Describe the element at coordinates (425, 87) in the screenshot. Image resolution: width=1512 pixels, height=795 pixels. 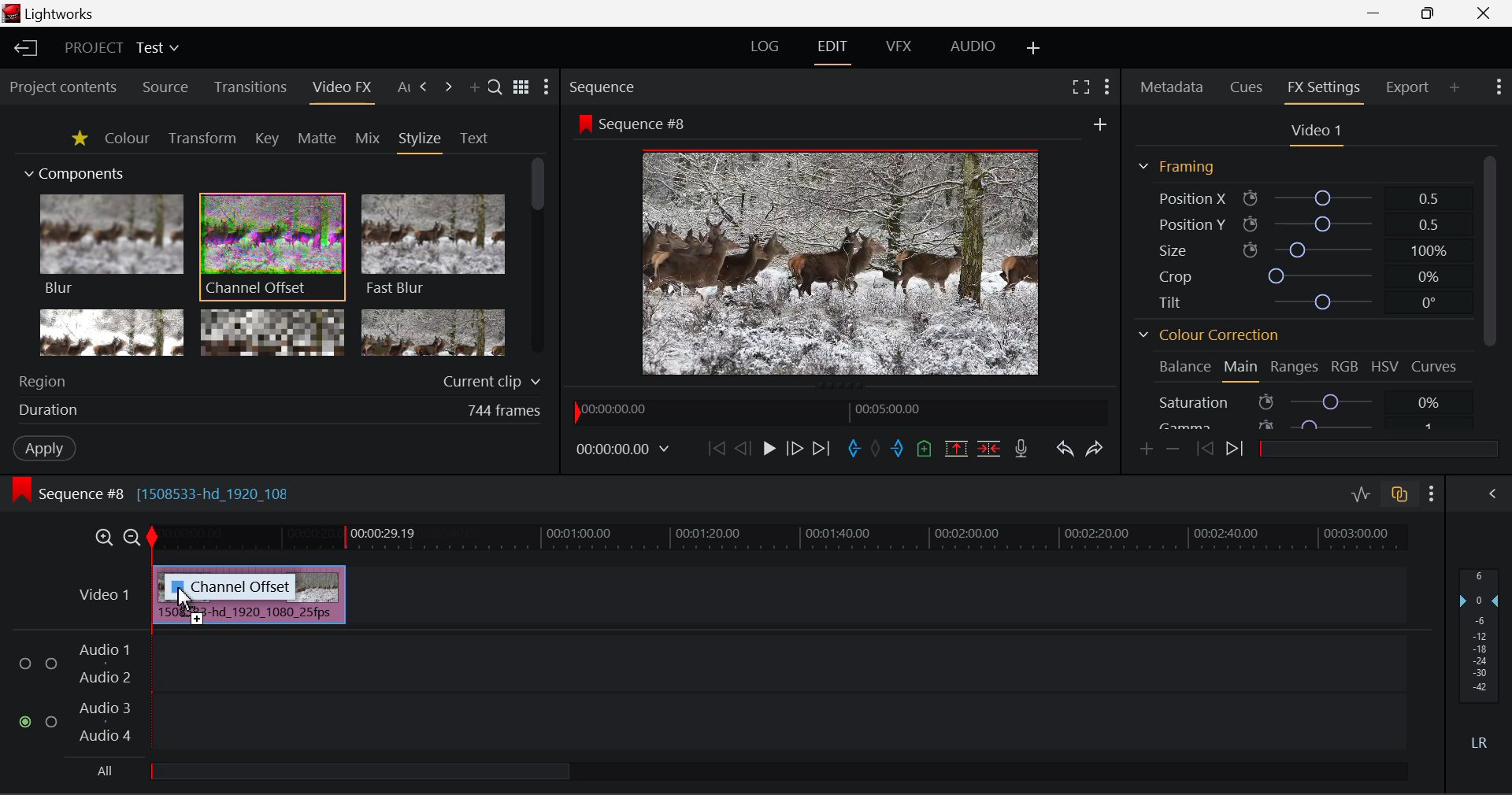
I see `Next Tab` at that location.